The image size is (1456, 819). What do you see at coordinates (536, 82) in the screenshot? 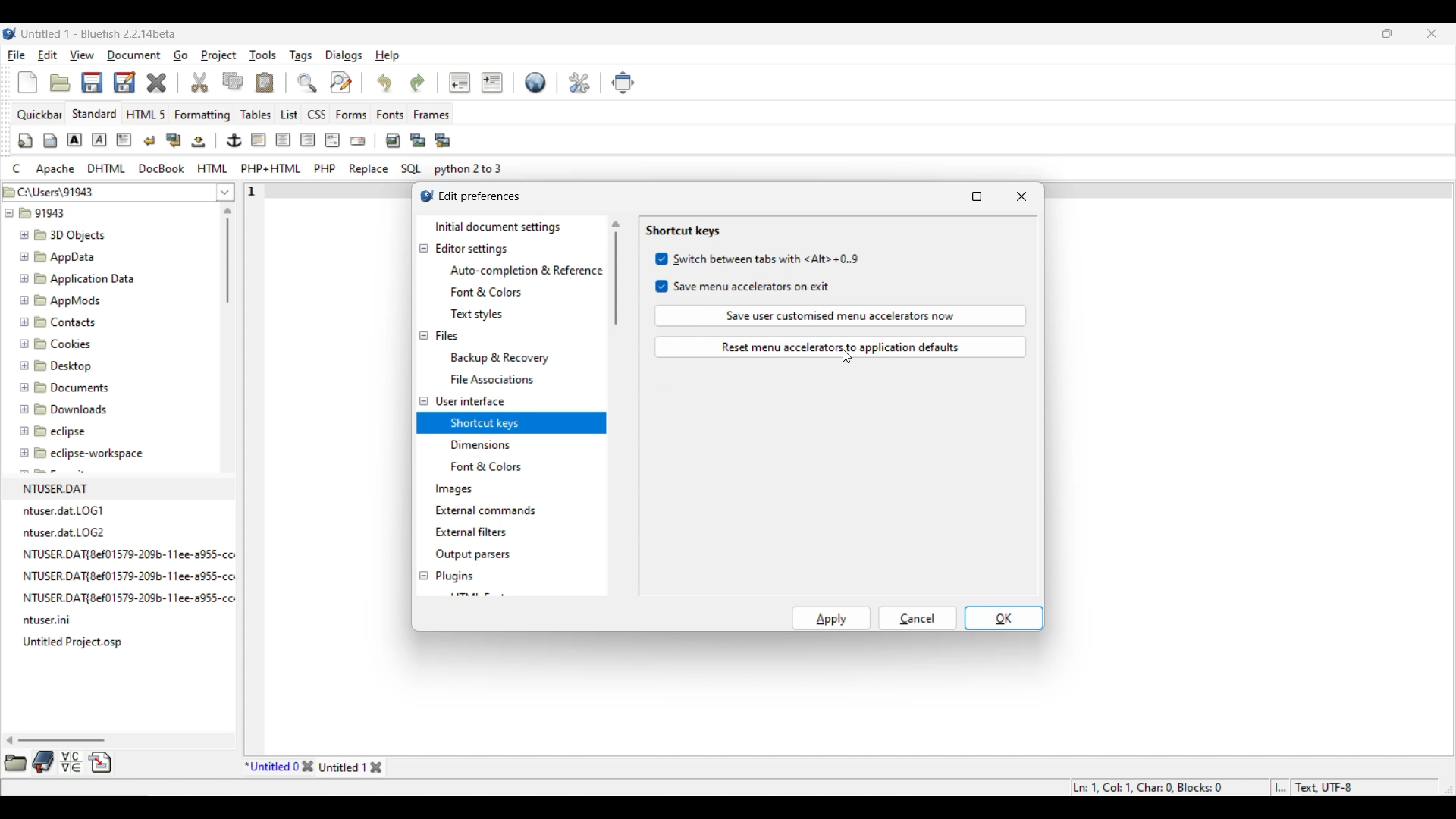
I see `Default settings` at bounding box center [536, 82].